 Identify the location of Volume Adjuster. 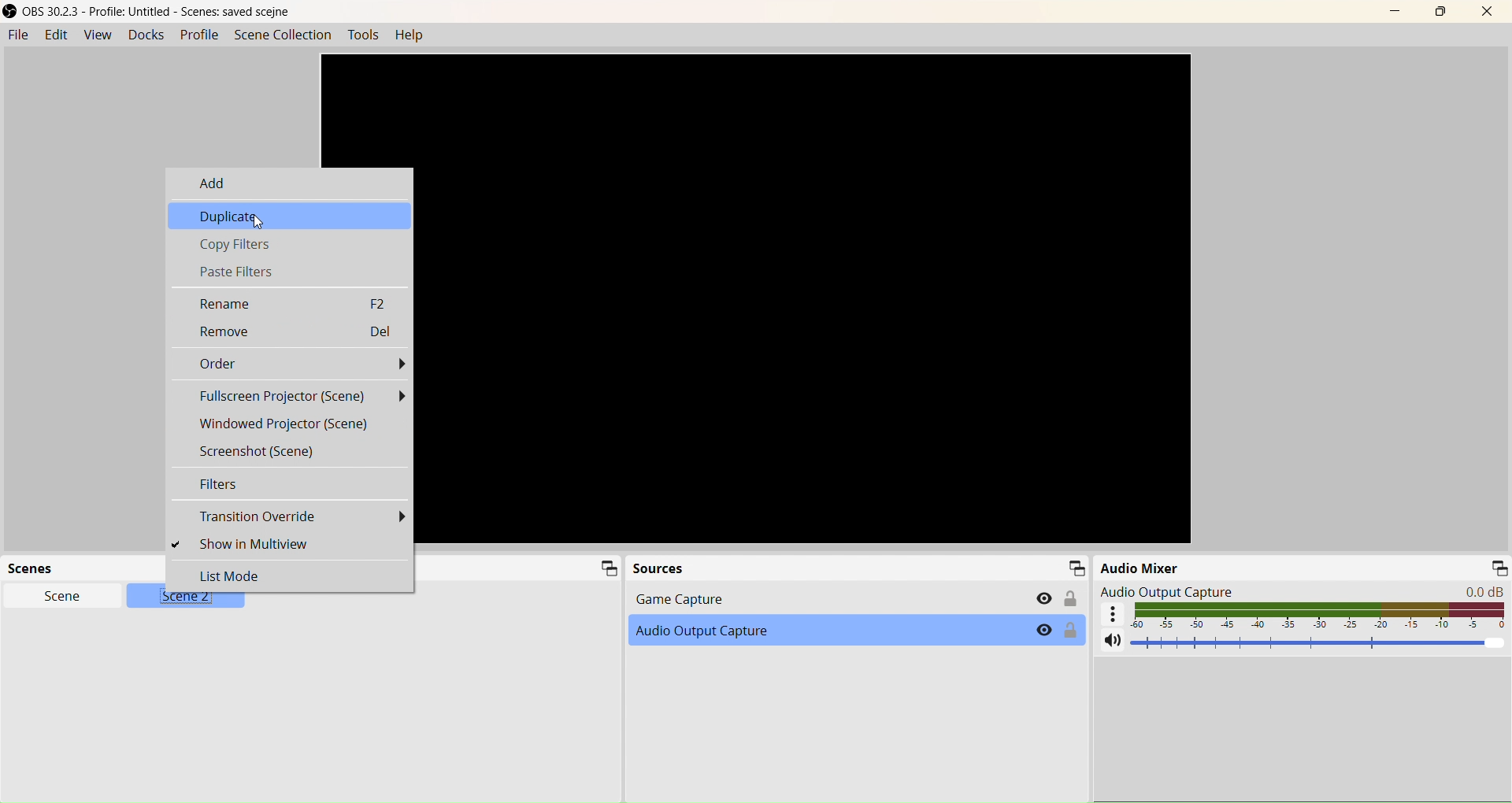
(1321, 642).